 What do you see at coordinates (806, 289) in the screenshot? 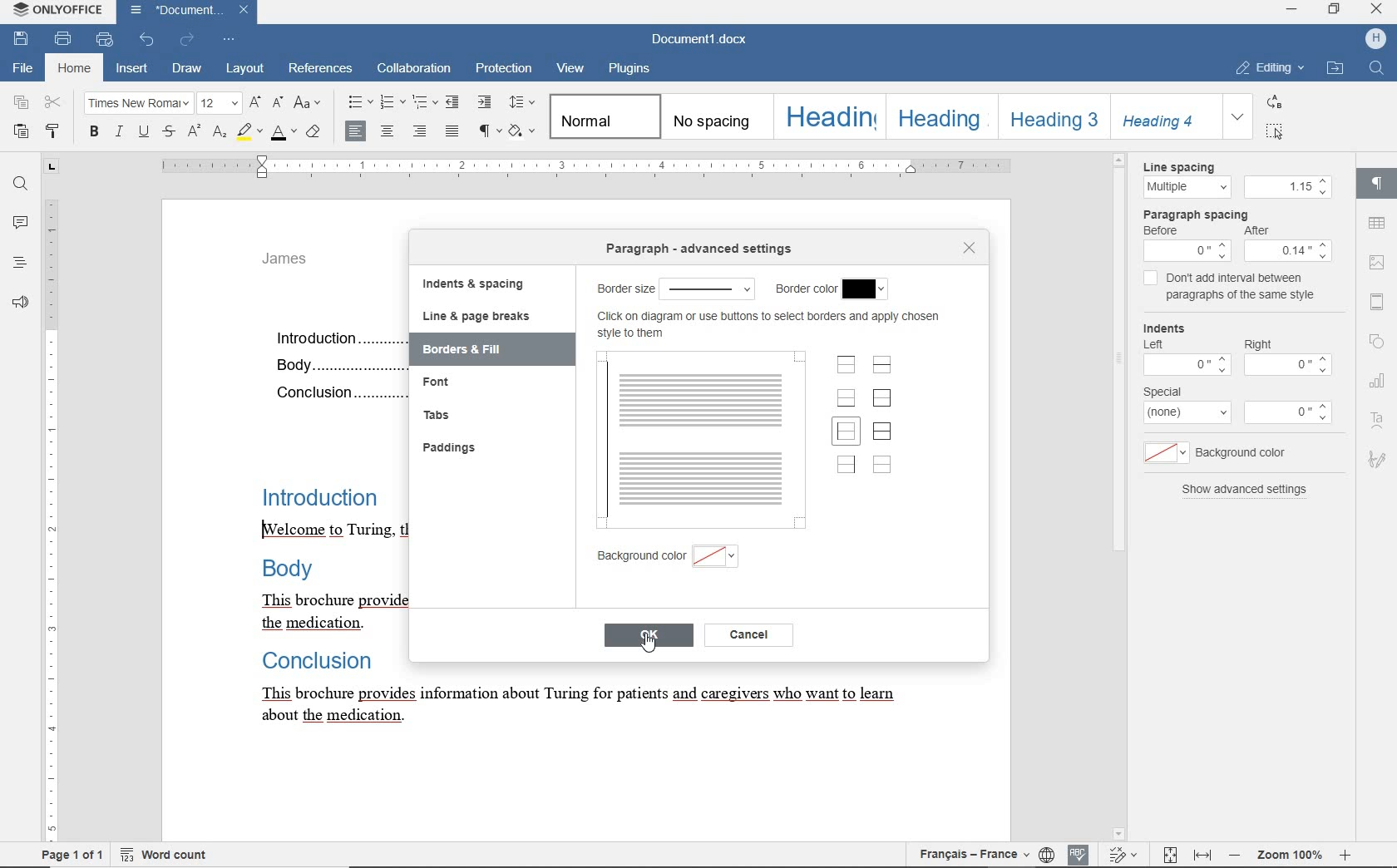
I see `border color` at bounding box center [806, 289].